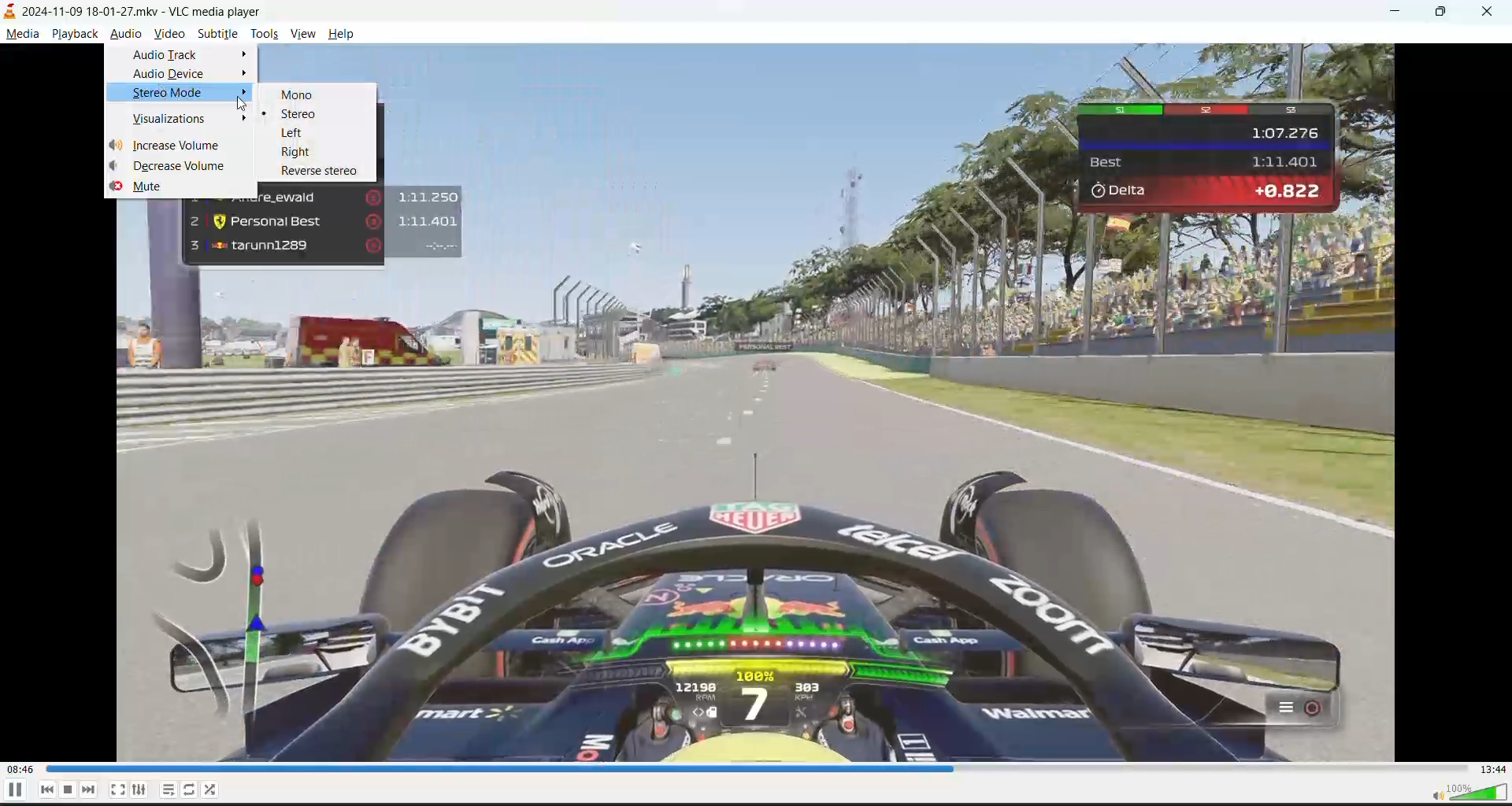 This screenshot has width=1512, height=806. What do you see at coordinates (168, 33) in the screenshot?
I see `video` at bounding box center [168, 33].